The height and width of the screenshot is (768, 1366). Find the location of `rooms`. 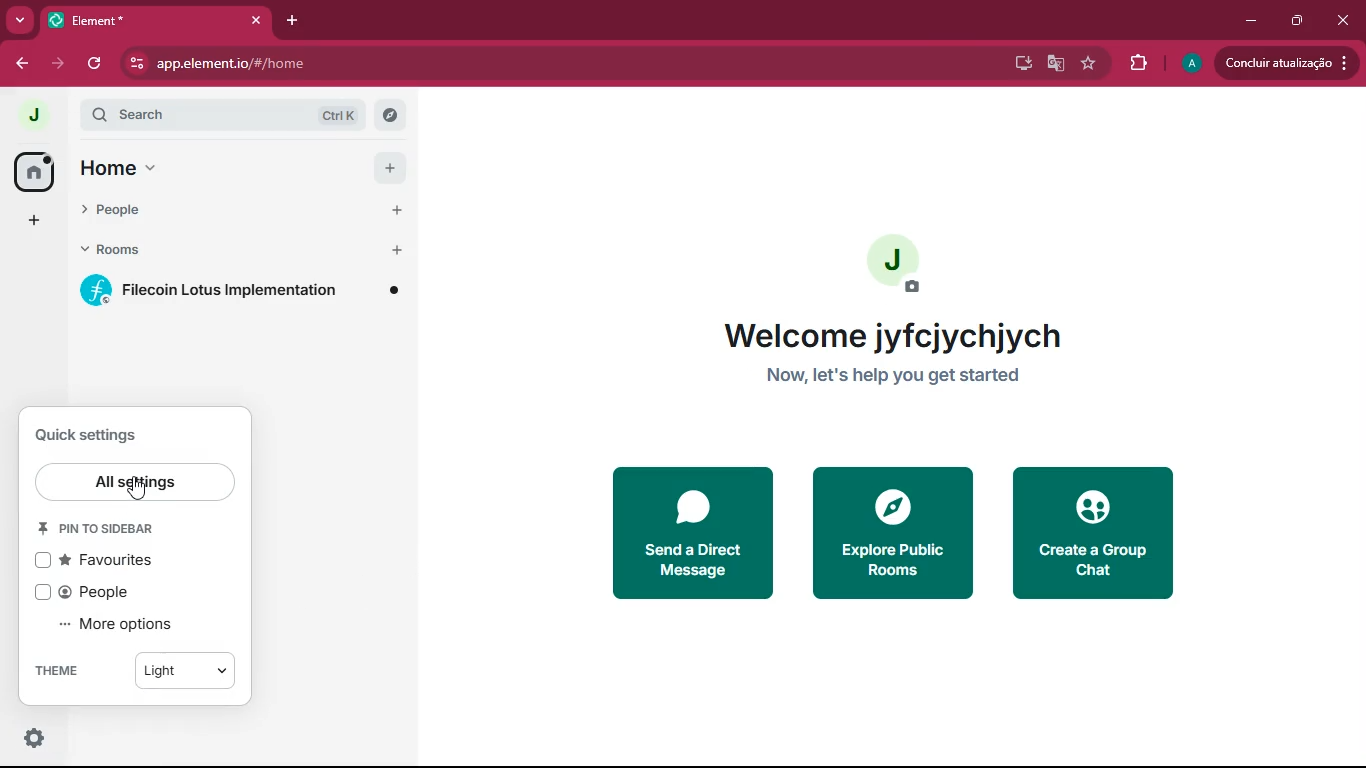

rooms is located at coordinates (127, 252).